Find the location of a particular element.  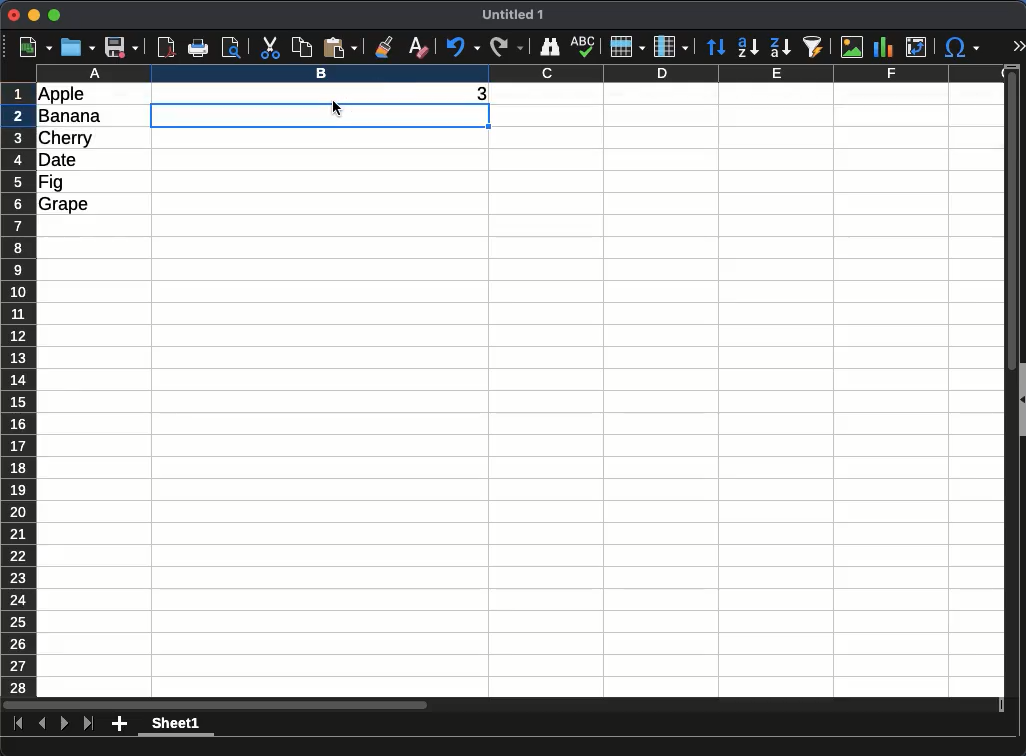

print is located at coordinates (198, 48).